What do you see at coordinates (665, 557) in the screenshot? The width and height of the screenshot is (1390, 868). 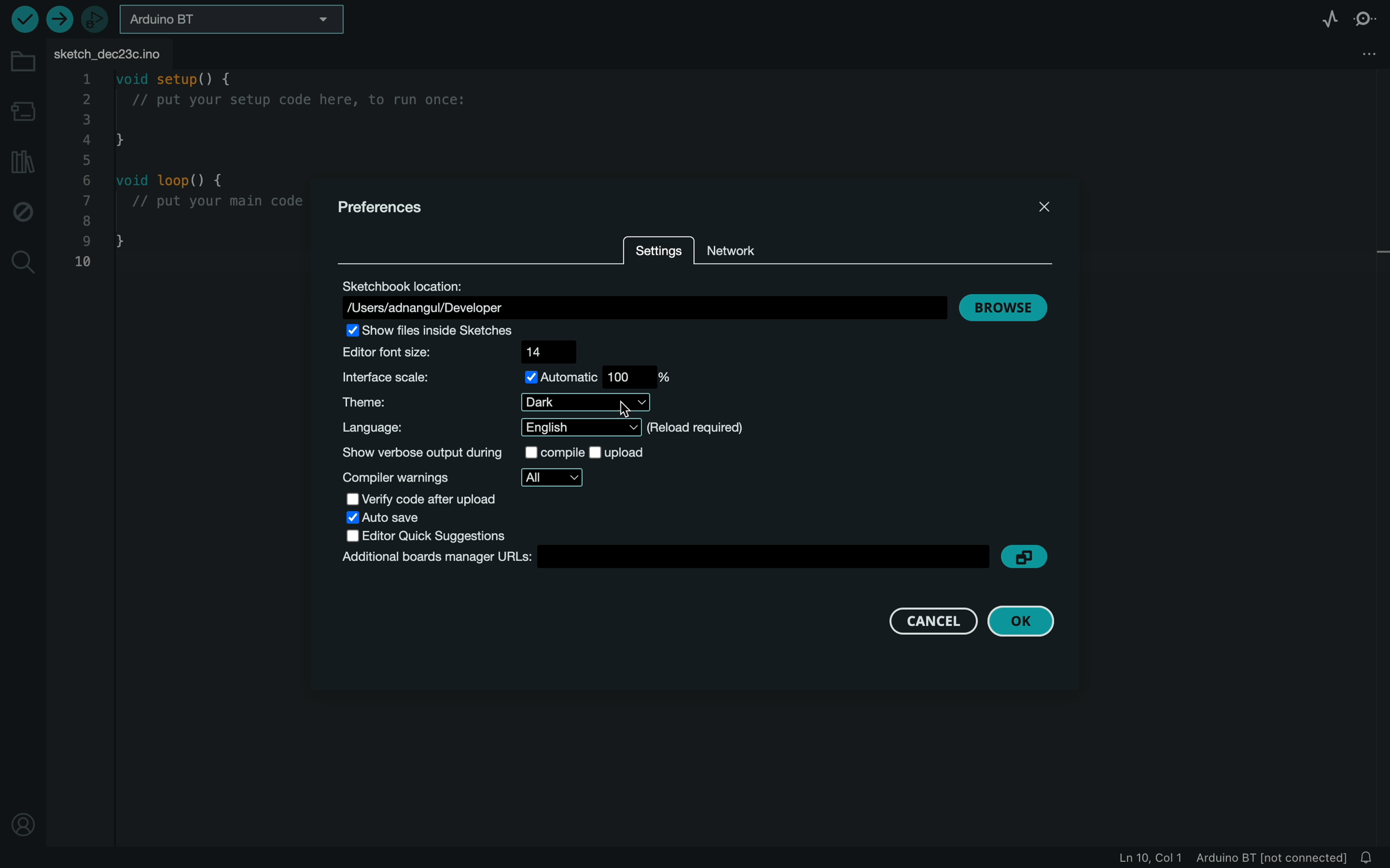 I see `board manager` at bounding box center [665, 557].